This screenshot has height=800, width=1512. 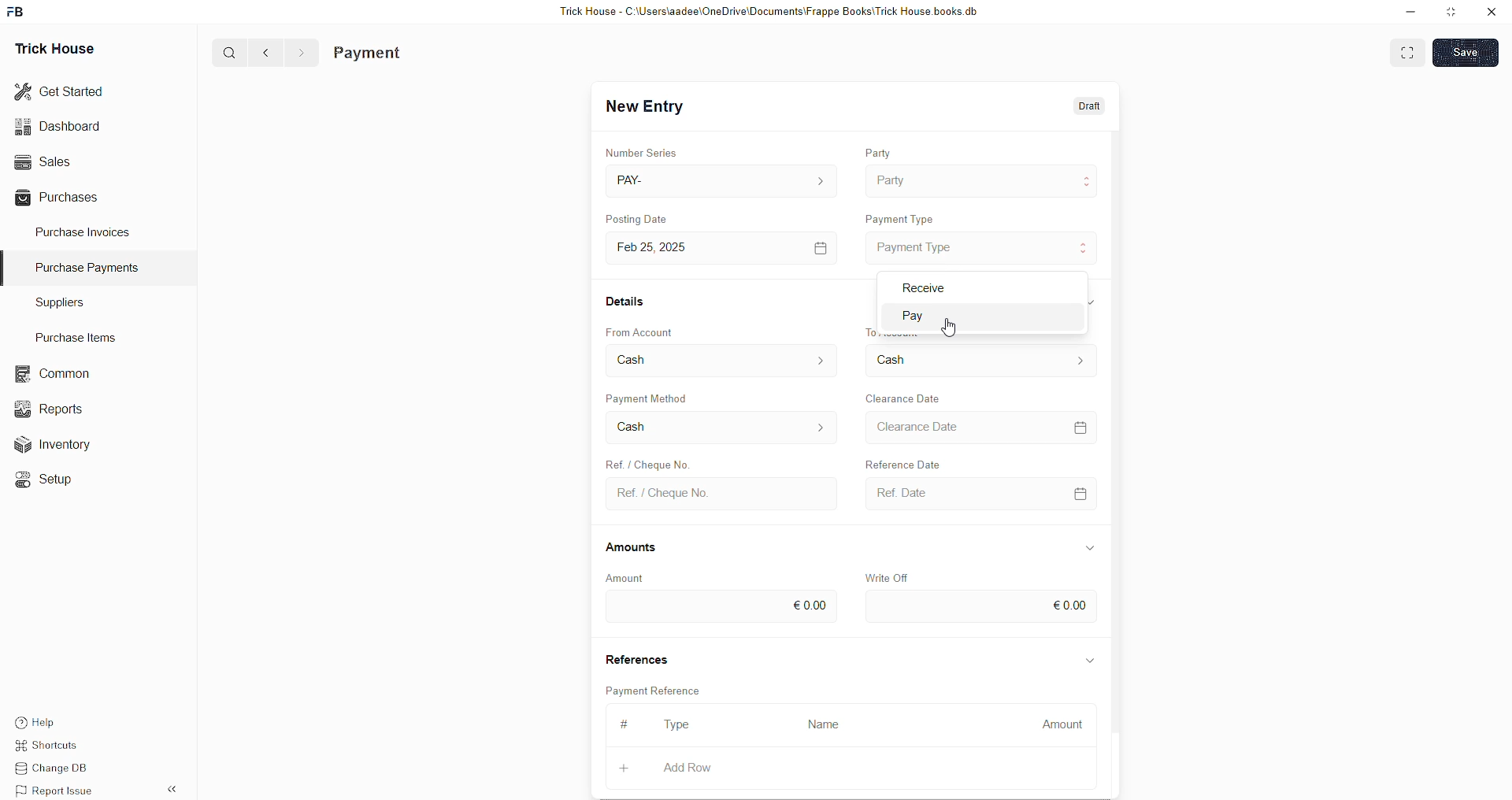 What do you see at coordinates (914, 461) in the screenshot?
I see `Falivunce Dis` at bounding box center [914, 461].